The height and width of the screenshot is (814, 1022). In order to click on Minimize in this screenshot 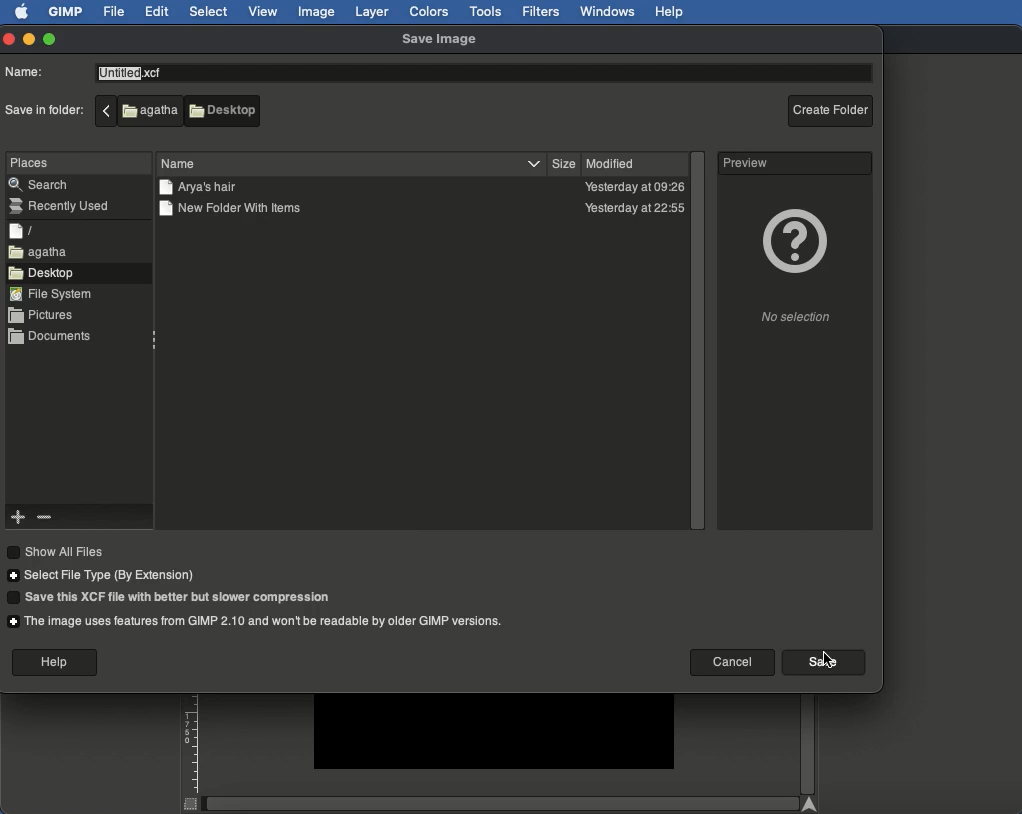, I will do `click(28, 39)`.